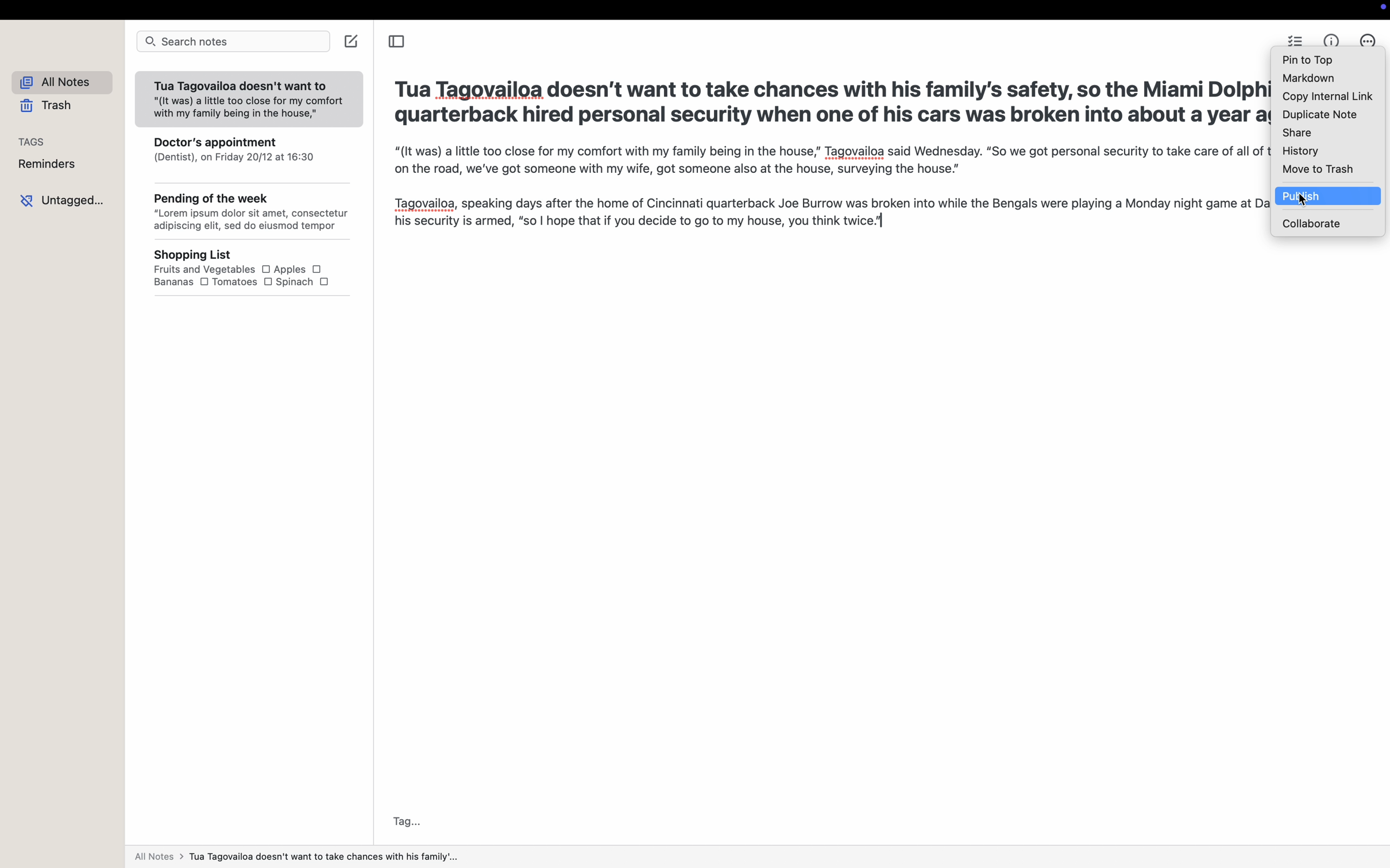 This screenshot has height=868, width=1390. What do you see at coordinates (1312, 223) in the screenshot?
I see `collaborate` at bounding box center [1312, 223].